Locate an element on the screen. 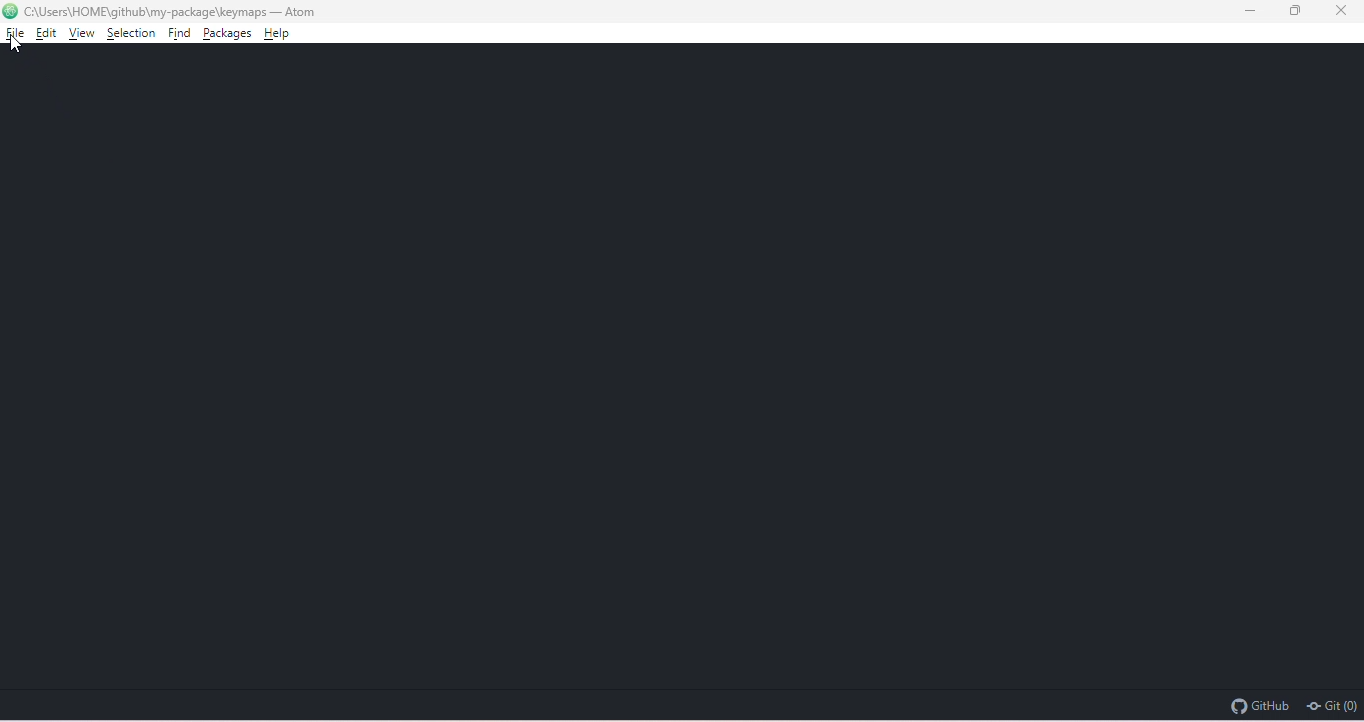 Image resolution: width=1364 pixels, height=722 pixels. minimize is located at coordinates (1253, 11).